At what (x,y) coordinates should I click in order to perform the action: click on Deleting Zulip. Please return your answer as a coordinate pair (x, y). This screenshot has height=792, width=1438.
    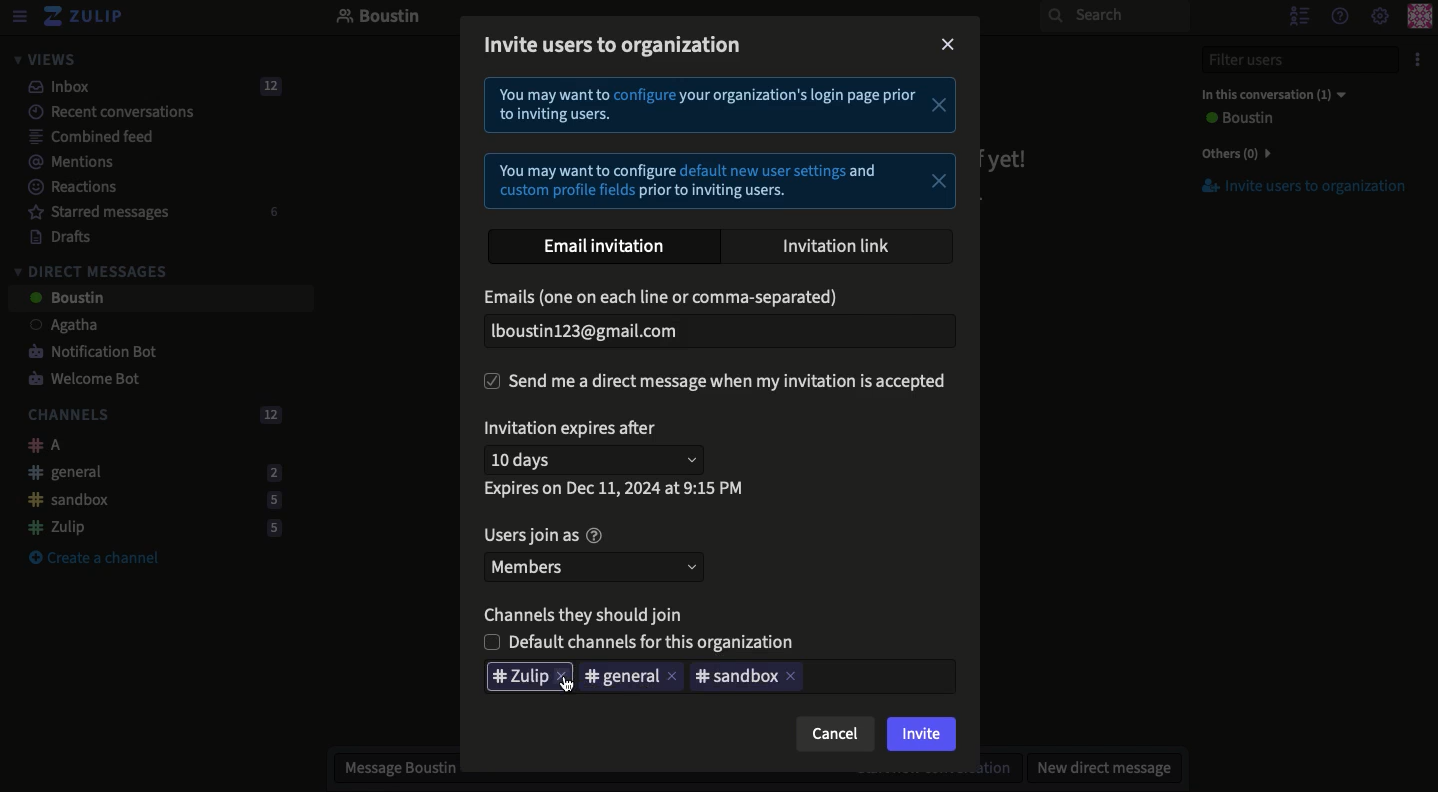
    Looking at the image, I should click on (519, 677).